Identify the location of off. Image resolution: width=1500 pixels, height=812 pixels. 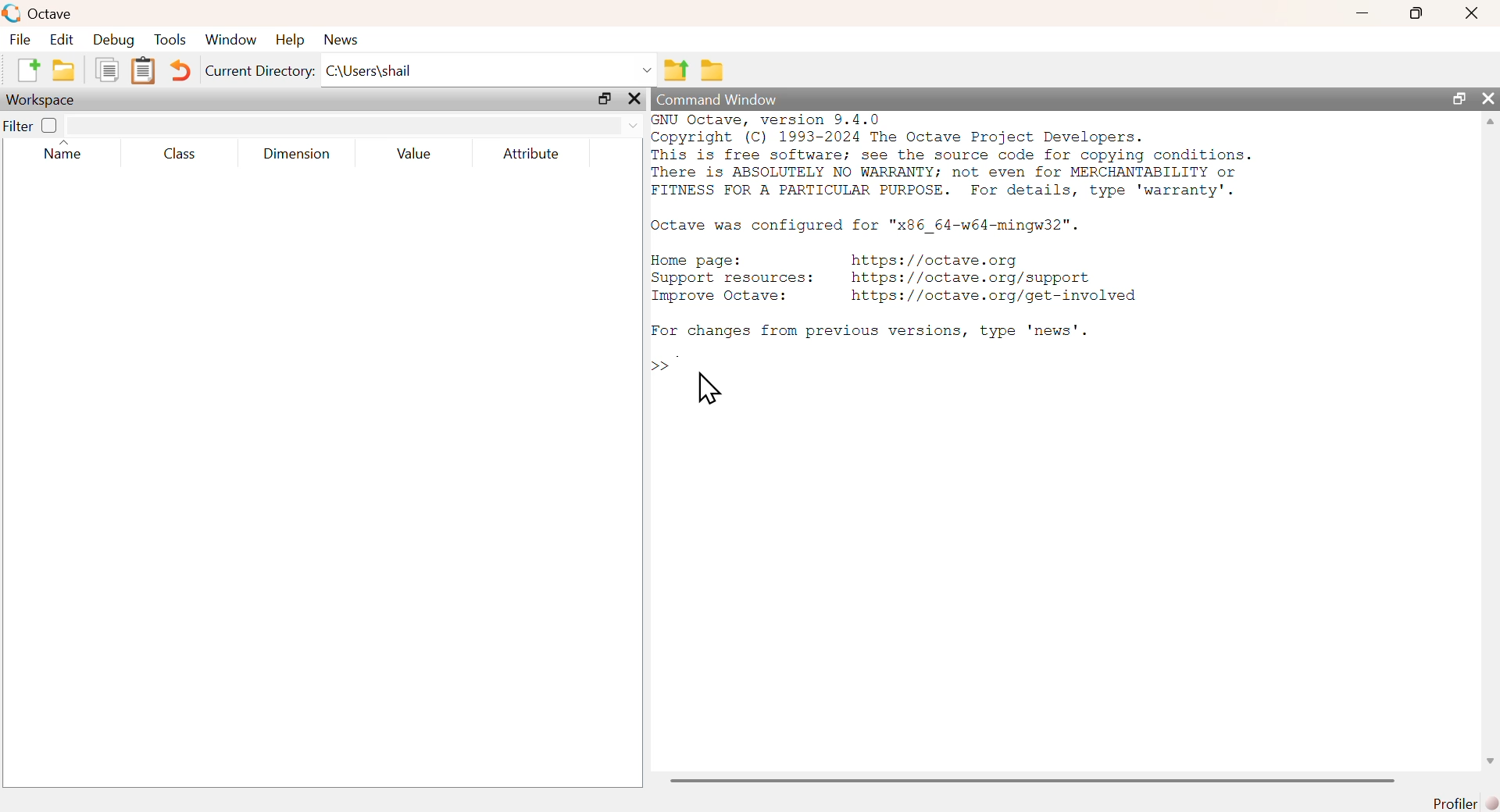
(50, 126).